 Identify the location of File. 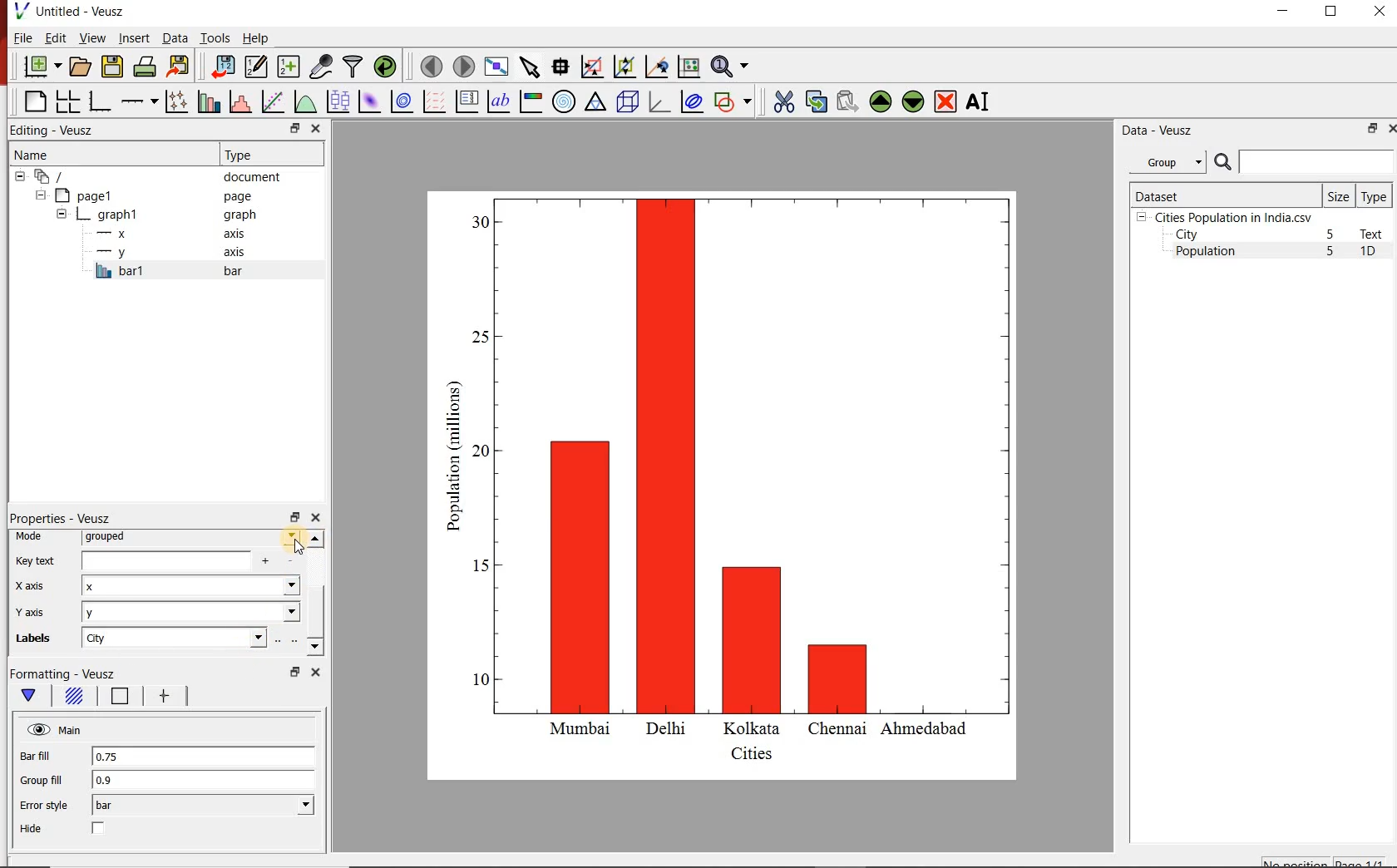
(23, 37).